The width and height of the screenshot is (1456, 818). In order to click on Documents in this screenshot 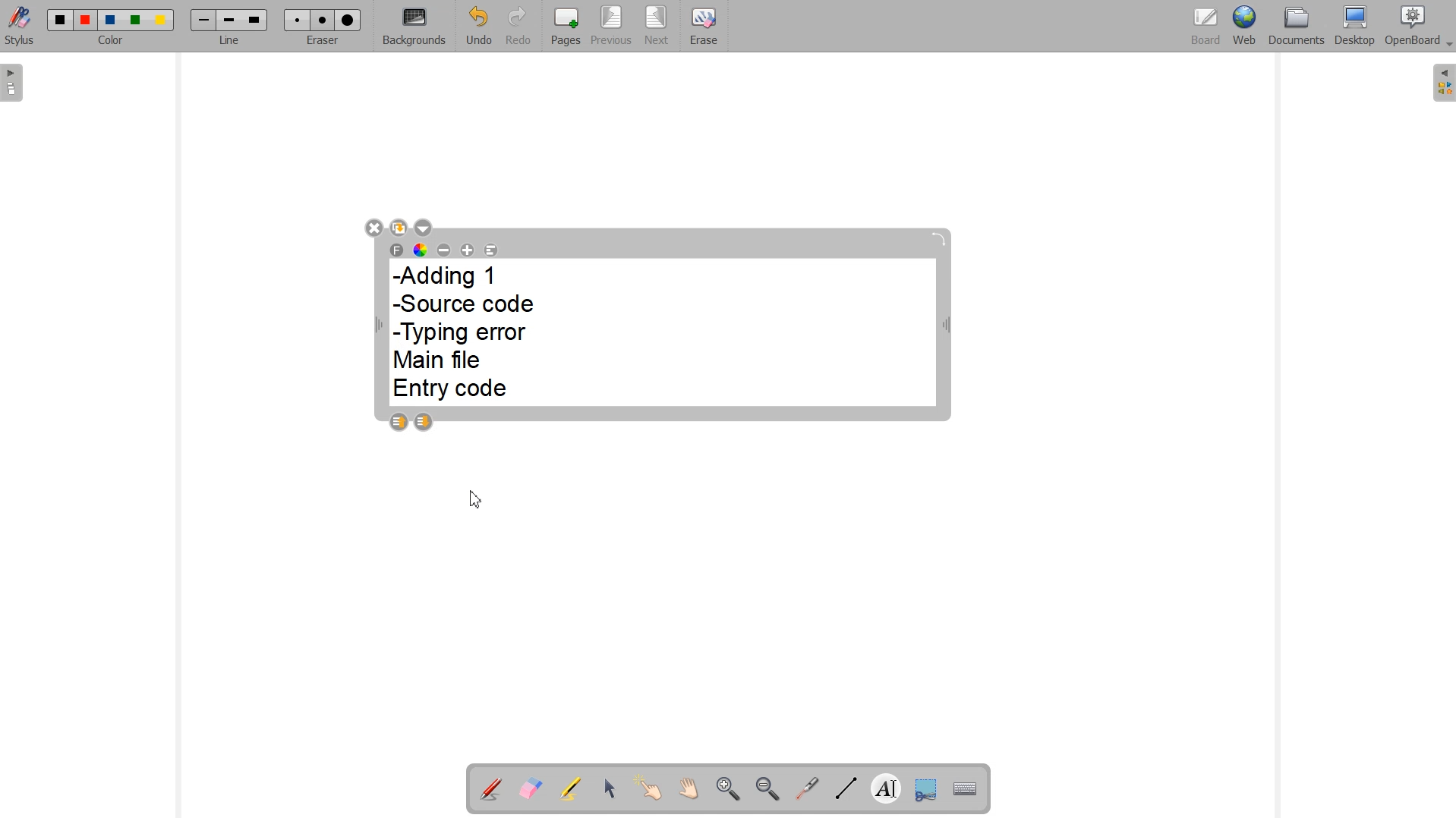, I will do `click(1297, 27)`.